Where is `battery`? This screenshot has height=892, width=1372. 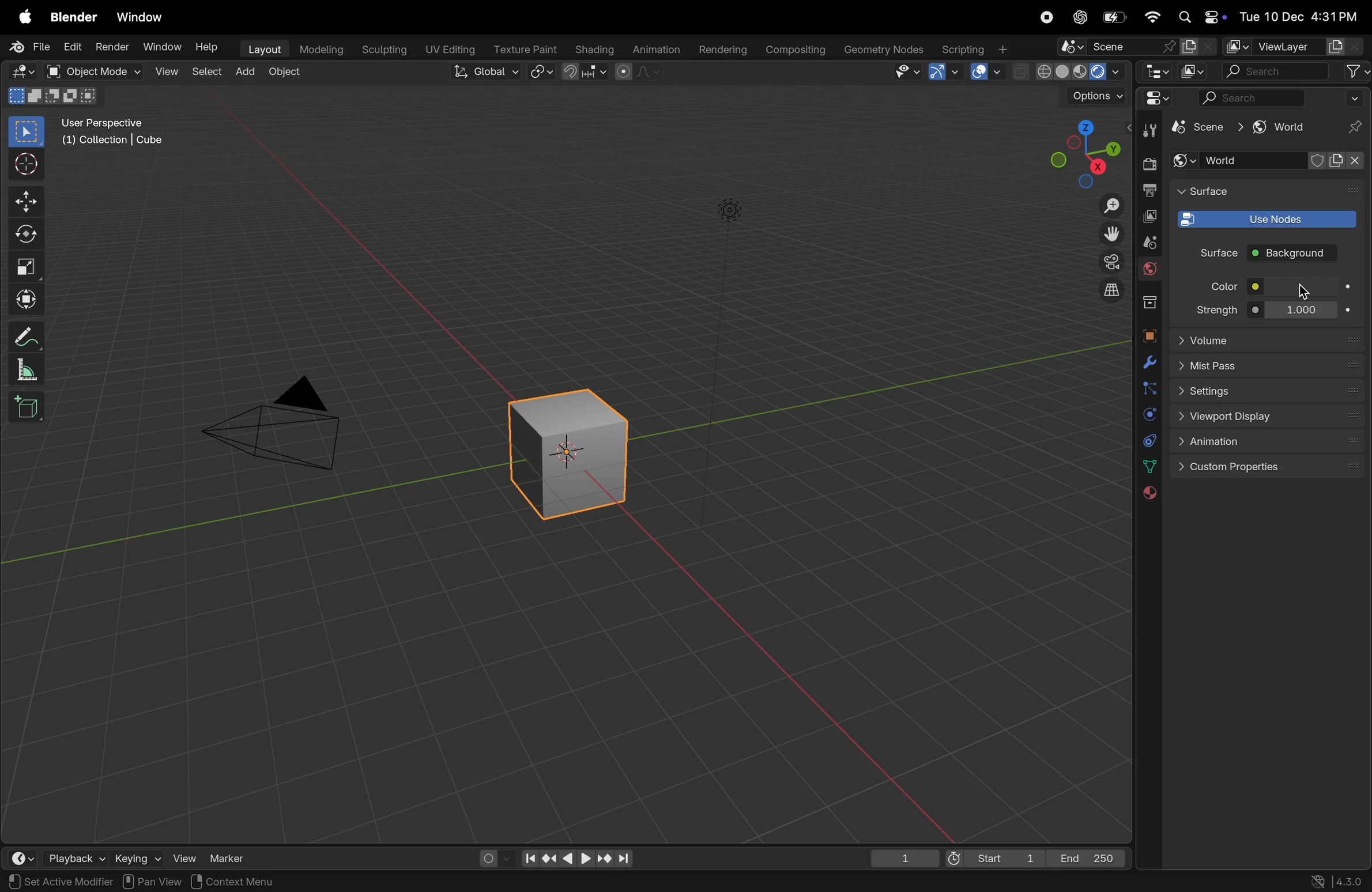
battery is located at coordinates (1113, 18).